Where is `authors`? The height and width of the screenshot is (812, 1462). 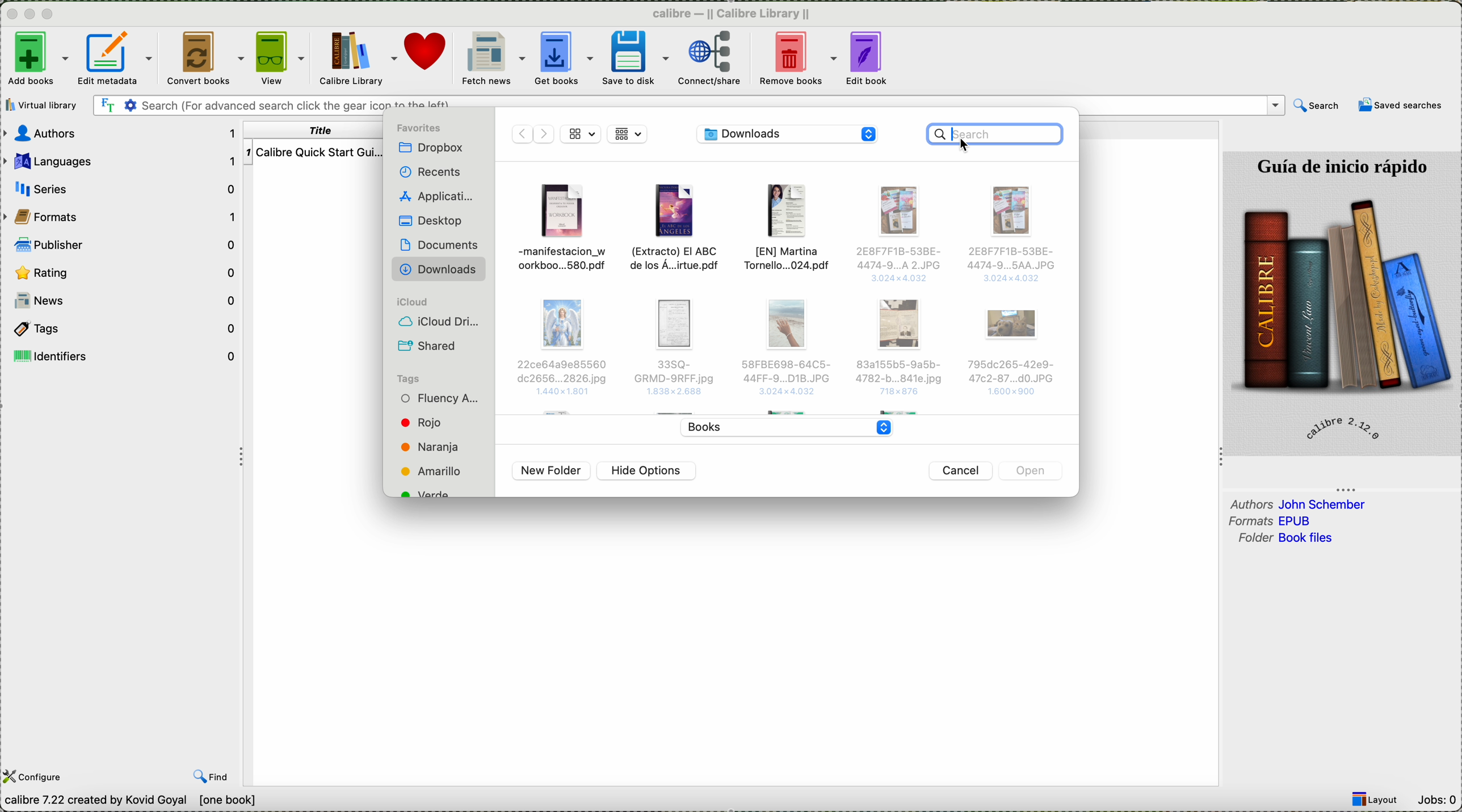
authors is located at coordinates (1299, 504).